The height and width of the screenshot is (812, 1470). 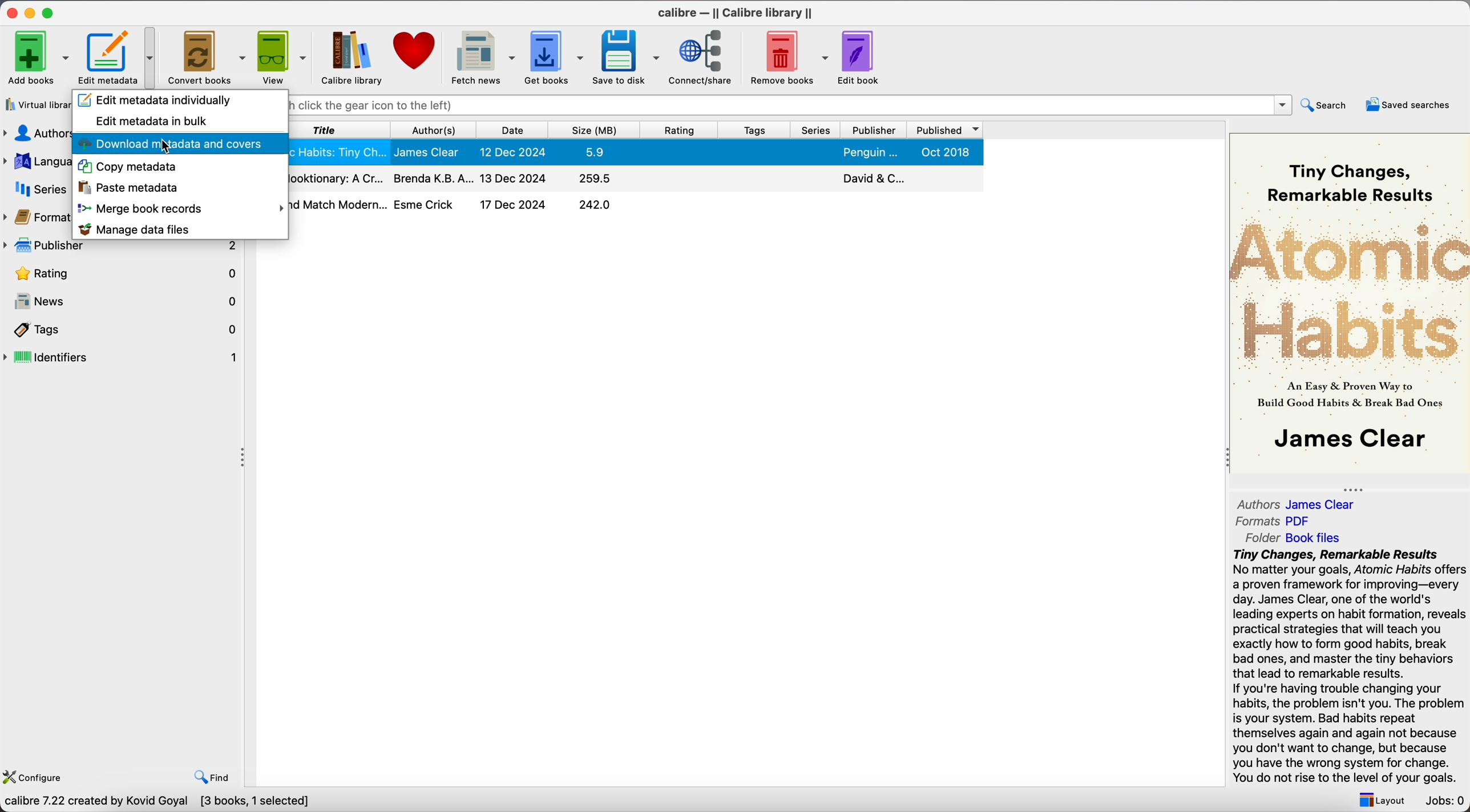 What do you see at coordinates (125, 274) in the screenshot?
I see `rating` at bounding box center [125, 274].